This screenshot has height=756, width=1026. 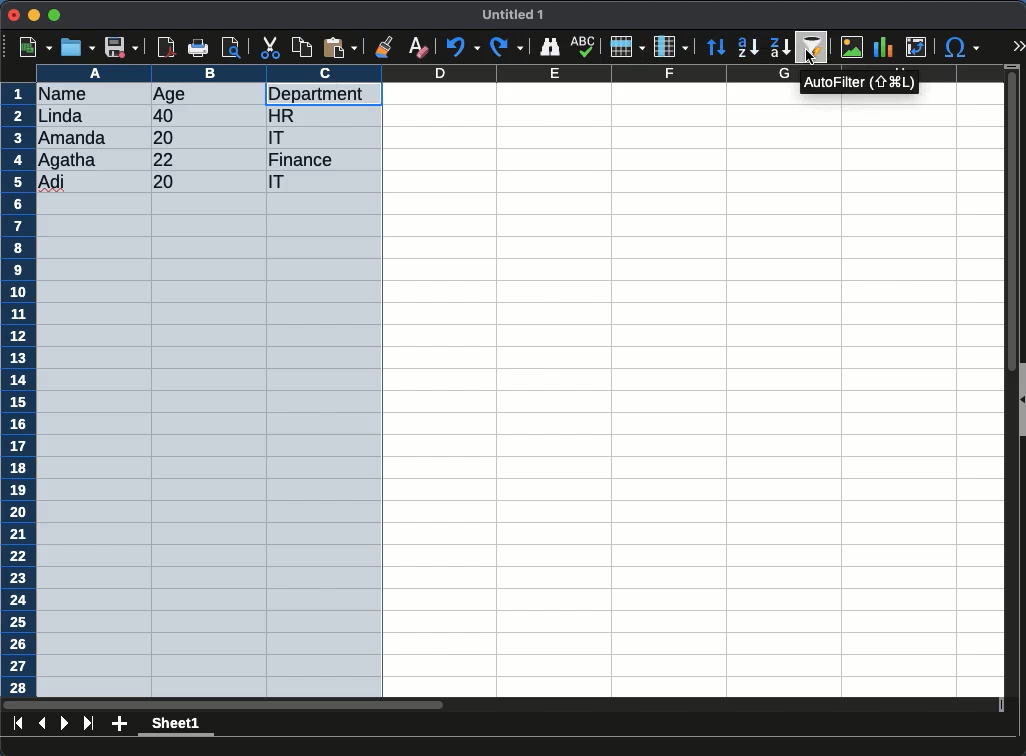 I want to click on open, so click(x=78, y=47).